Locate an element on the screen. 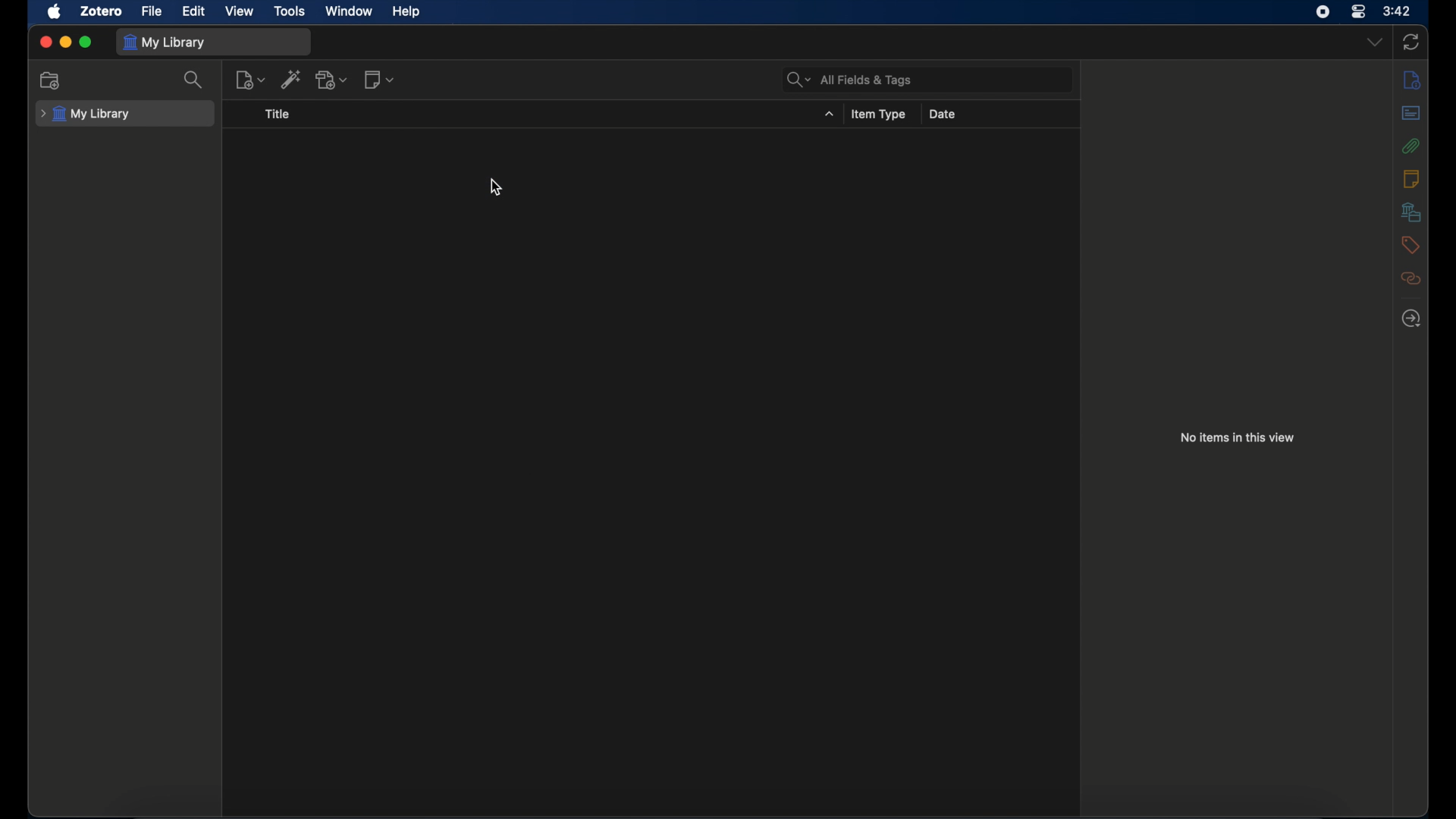 Image resolution: width=1456 pixels, height=819 pixels. time is located at coordinates (1398, 11).